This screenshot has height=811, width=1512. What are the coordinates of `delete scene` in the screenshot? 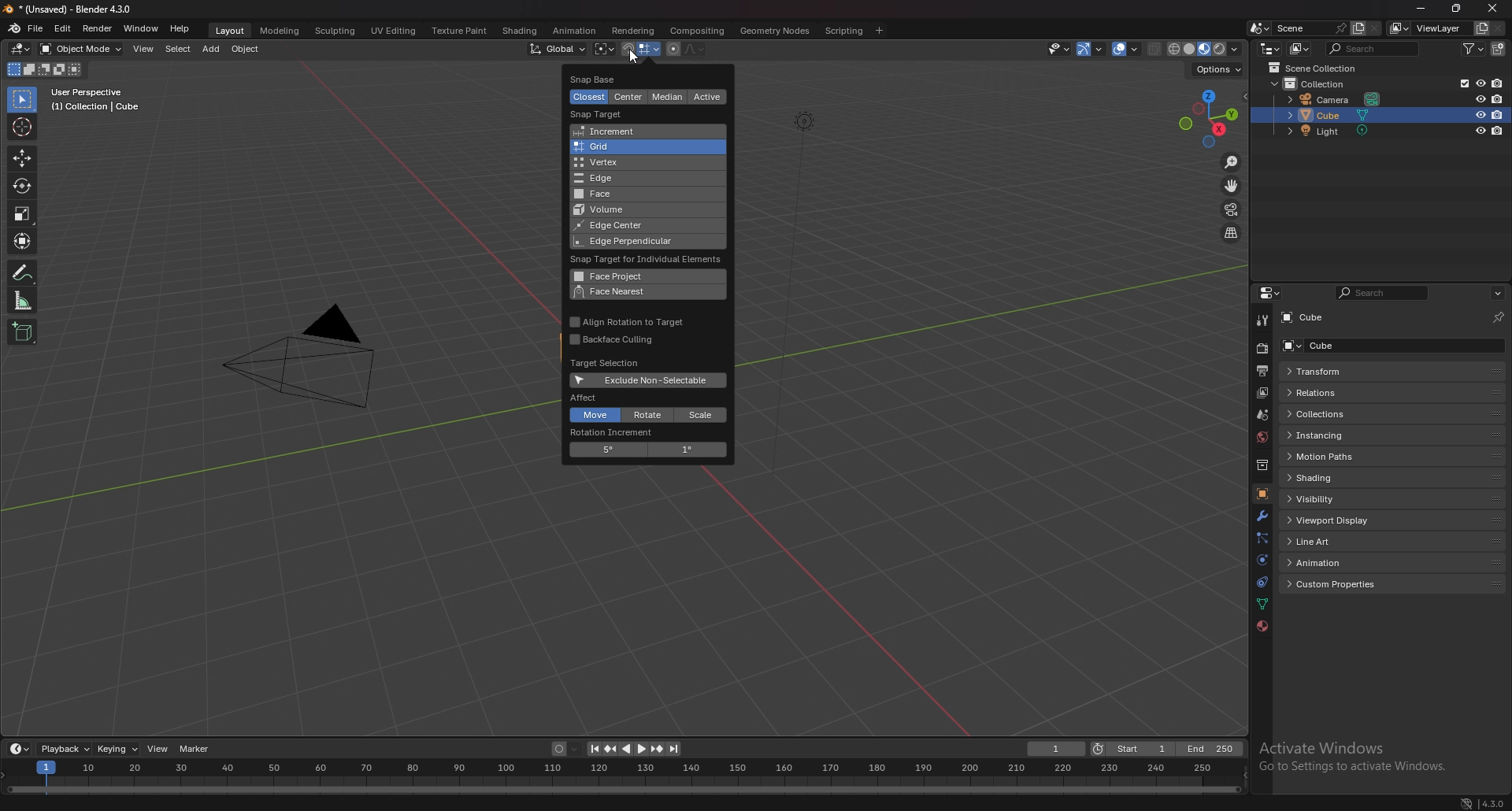 It's located at (1373, 29).